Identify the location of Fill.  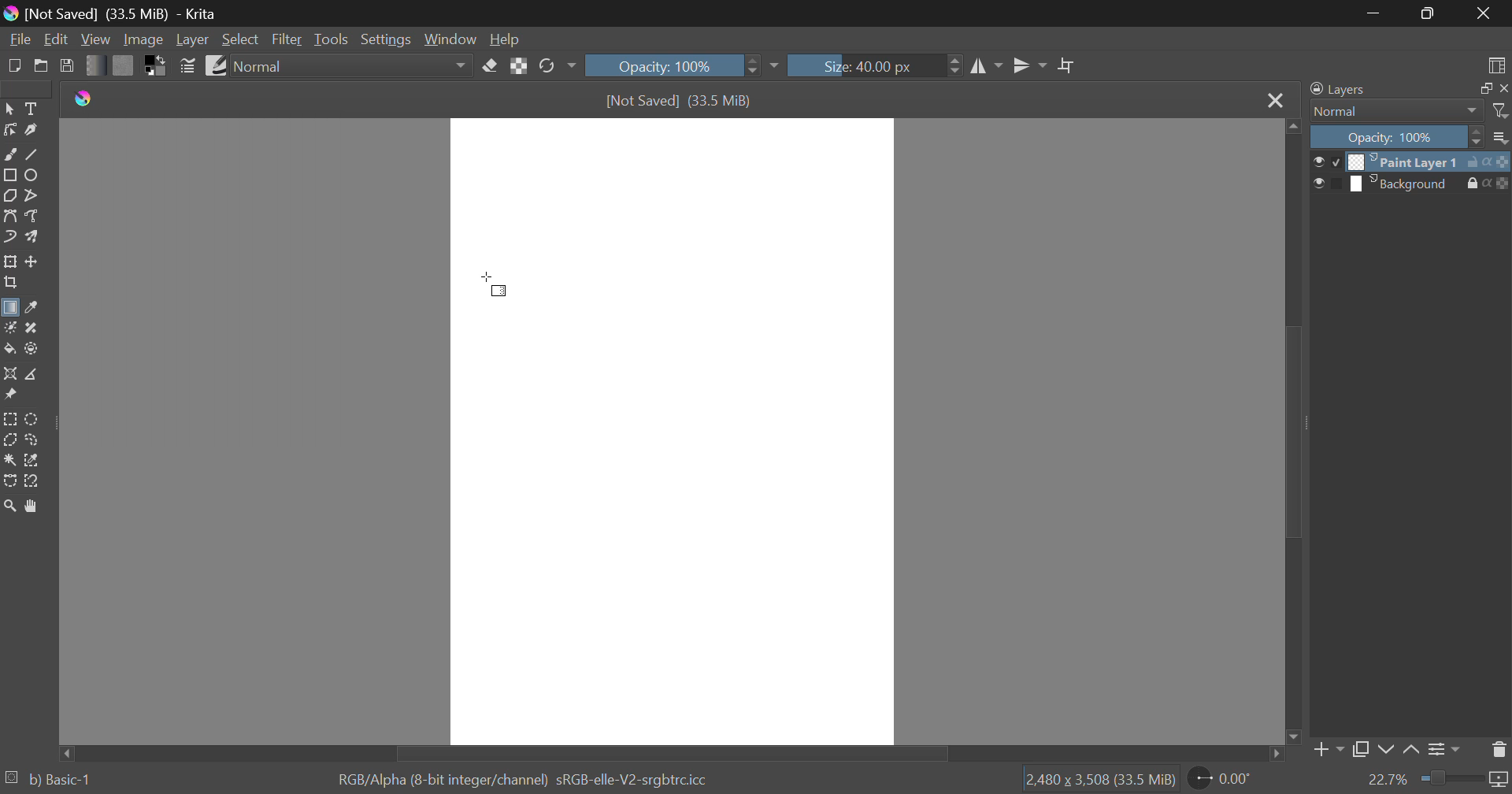
(9, 349).